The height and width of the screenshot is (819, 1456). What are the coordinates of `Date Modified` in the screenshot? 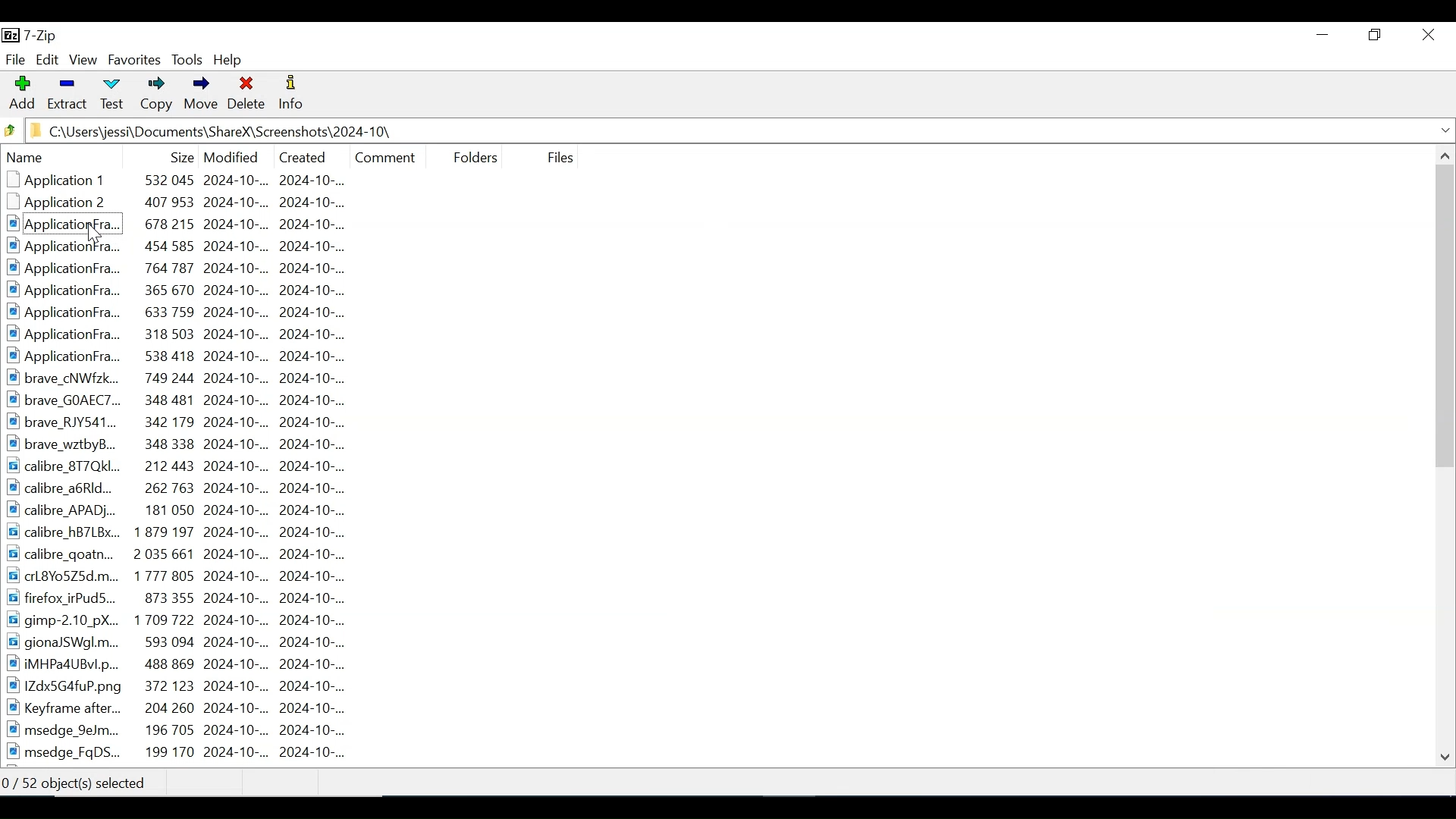 It's located at (231, 155).